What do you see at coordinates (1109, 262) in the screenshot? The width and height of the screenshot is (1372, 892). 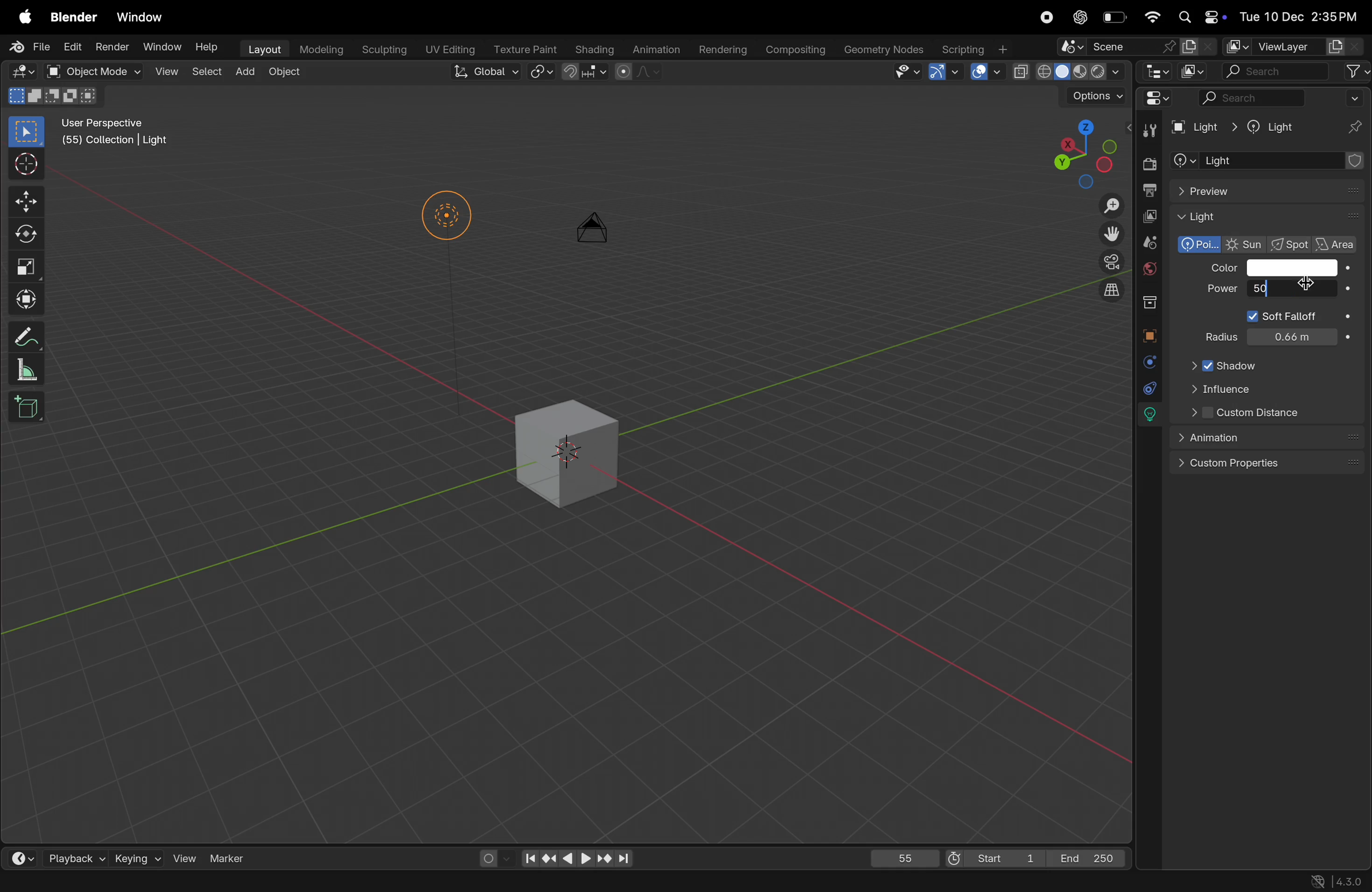 I see `camera` at bounding box center [1109, 262].